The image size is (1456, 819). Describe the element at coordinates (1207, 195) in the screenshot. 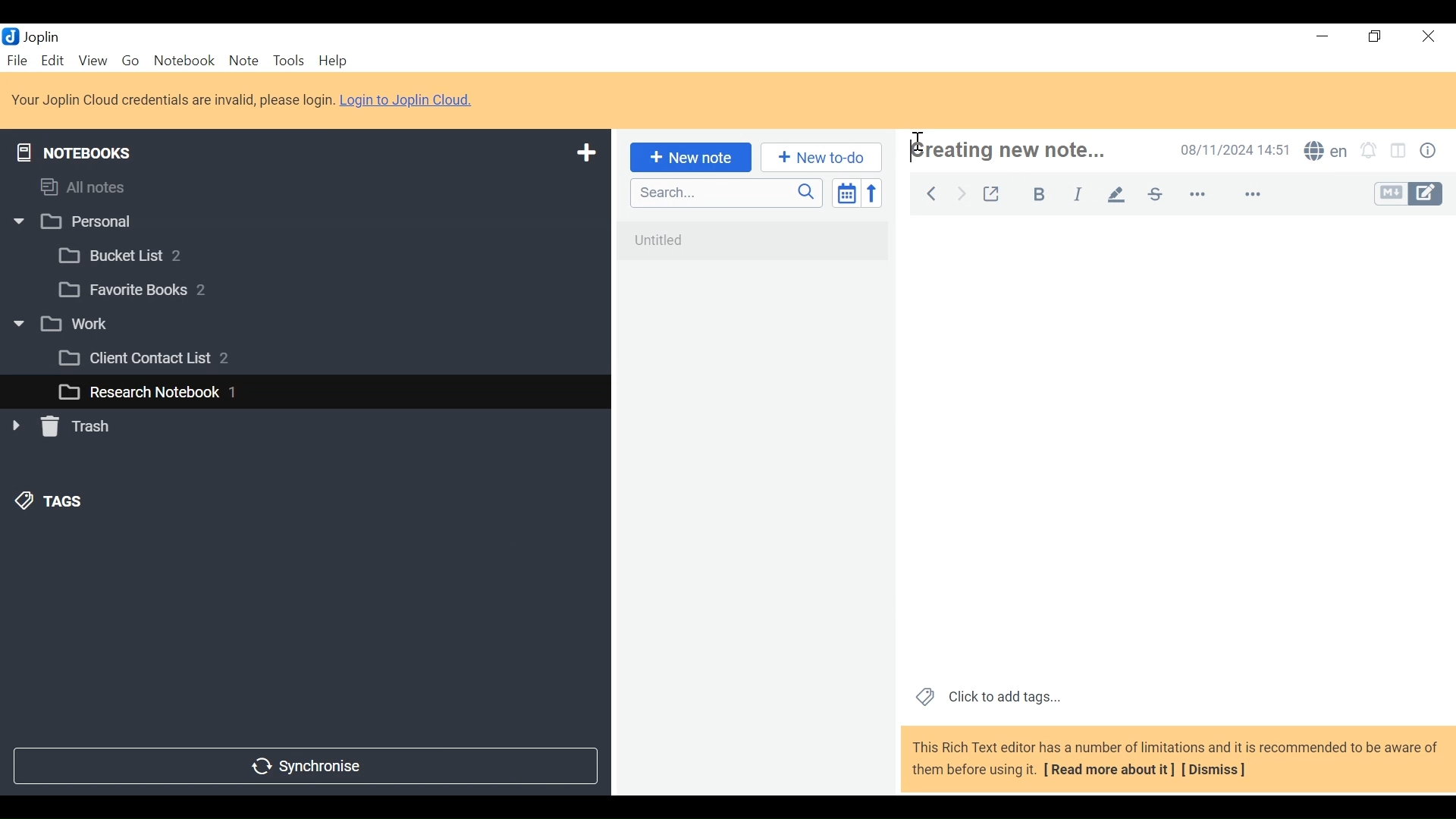

I see `more options` at that location.